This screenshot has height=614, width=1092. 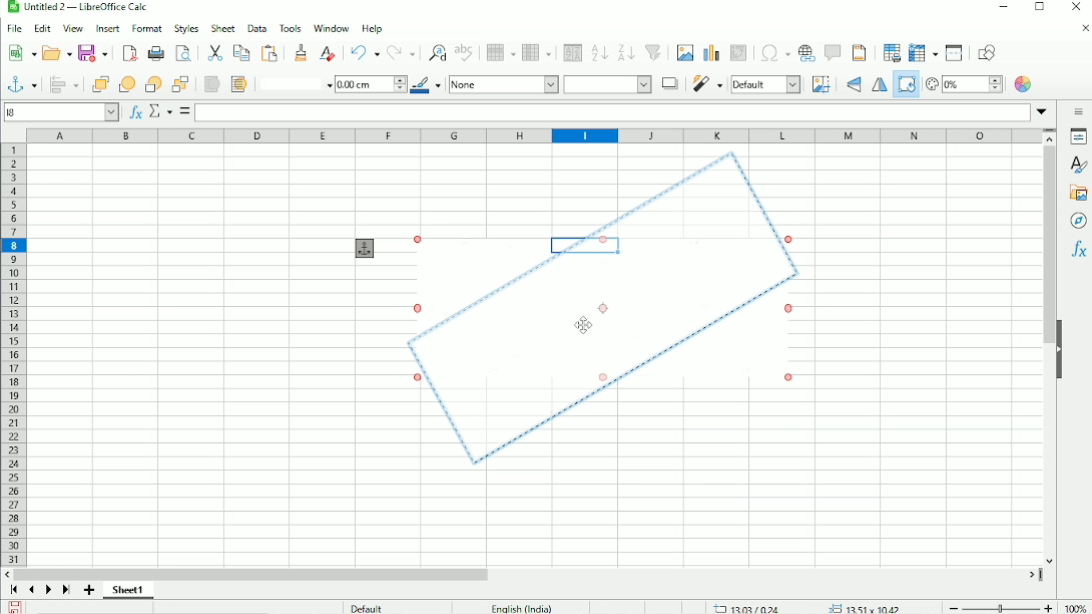 What do you see at coordinates (159, 111) in the screenshot?
I see `Select function` at bounding box center [159, 111].